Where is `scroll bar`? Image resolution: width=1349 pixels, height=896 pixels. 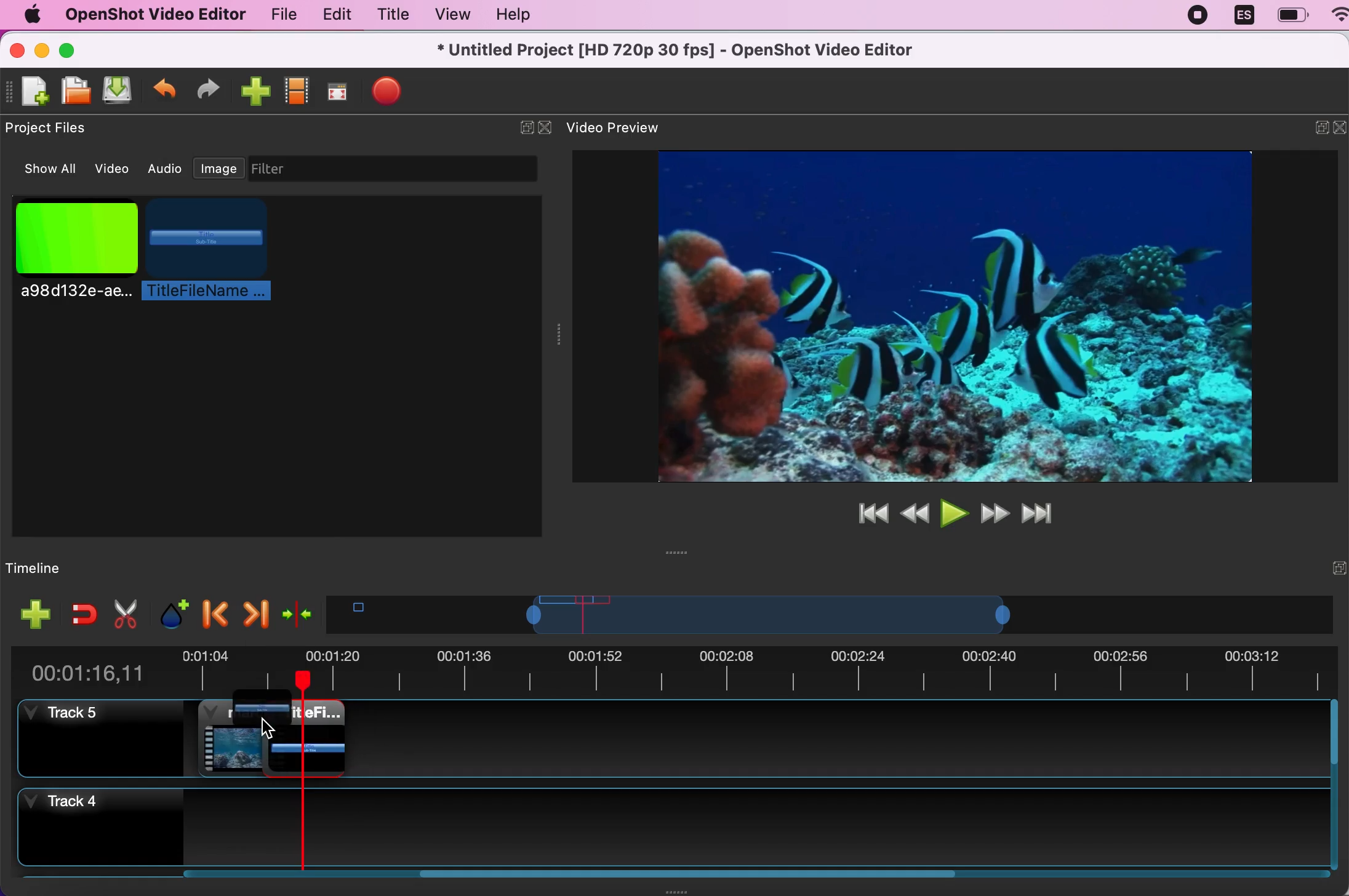
scroll bar is located at coordinates (1340, 787).